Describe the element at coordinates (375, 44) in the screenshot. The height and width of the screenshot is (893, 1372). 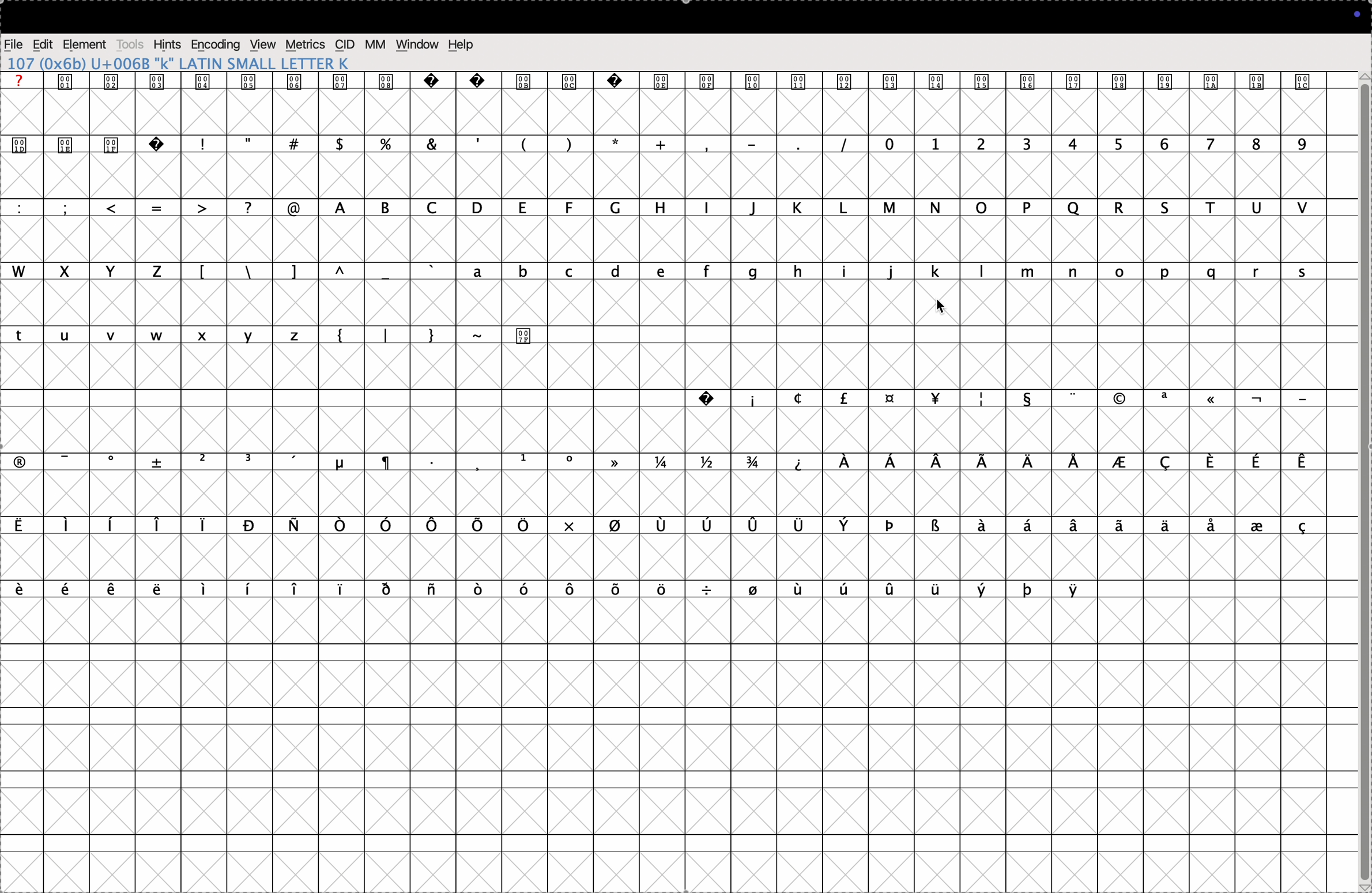
I see `mm` at that location.